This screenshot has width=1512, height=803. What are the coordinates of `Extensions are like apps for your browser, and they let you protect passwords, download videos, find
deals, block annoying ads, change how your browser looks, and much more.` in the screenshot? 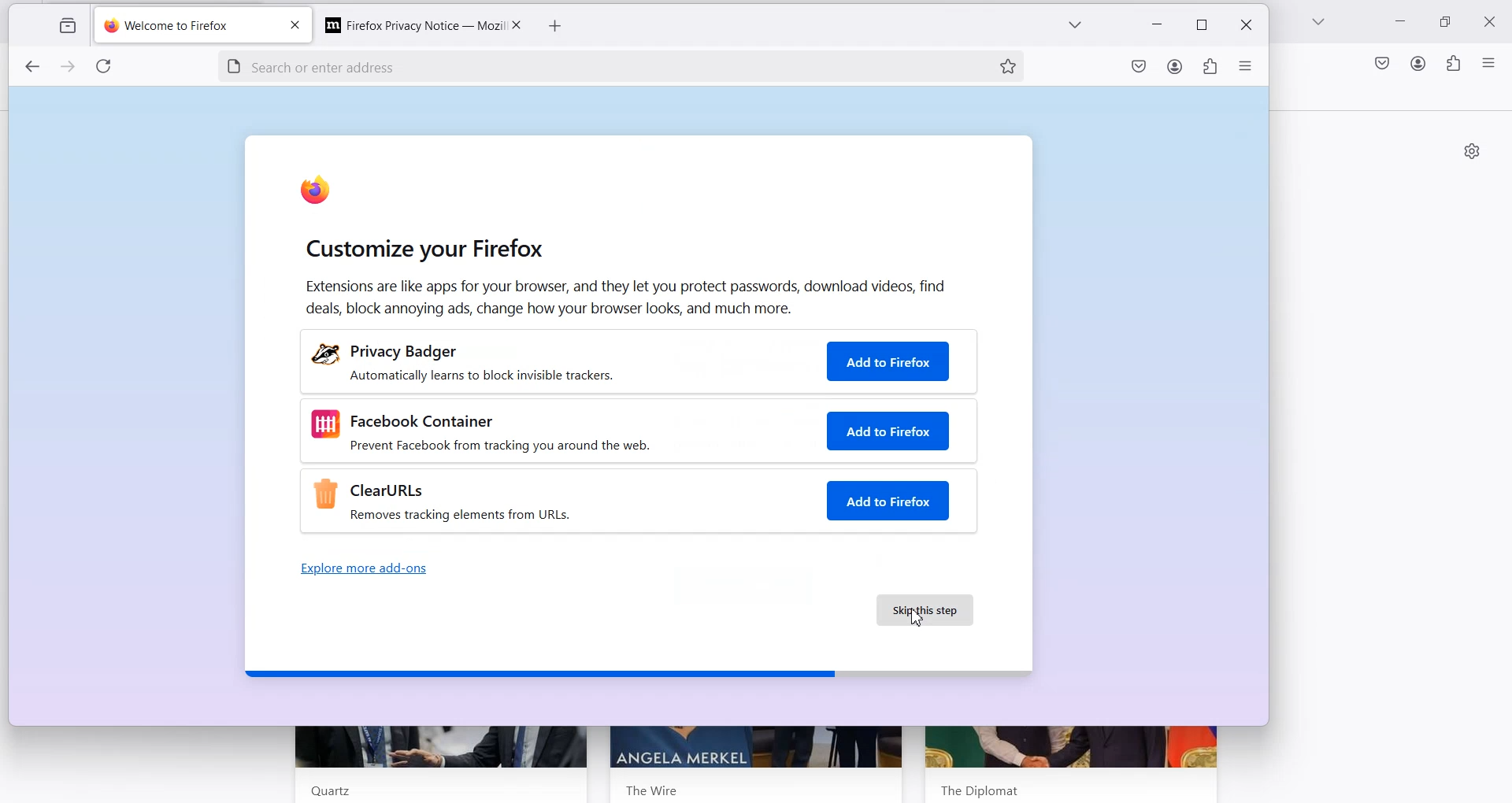 It's located at (628, 297).